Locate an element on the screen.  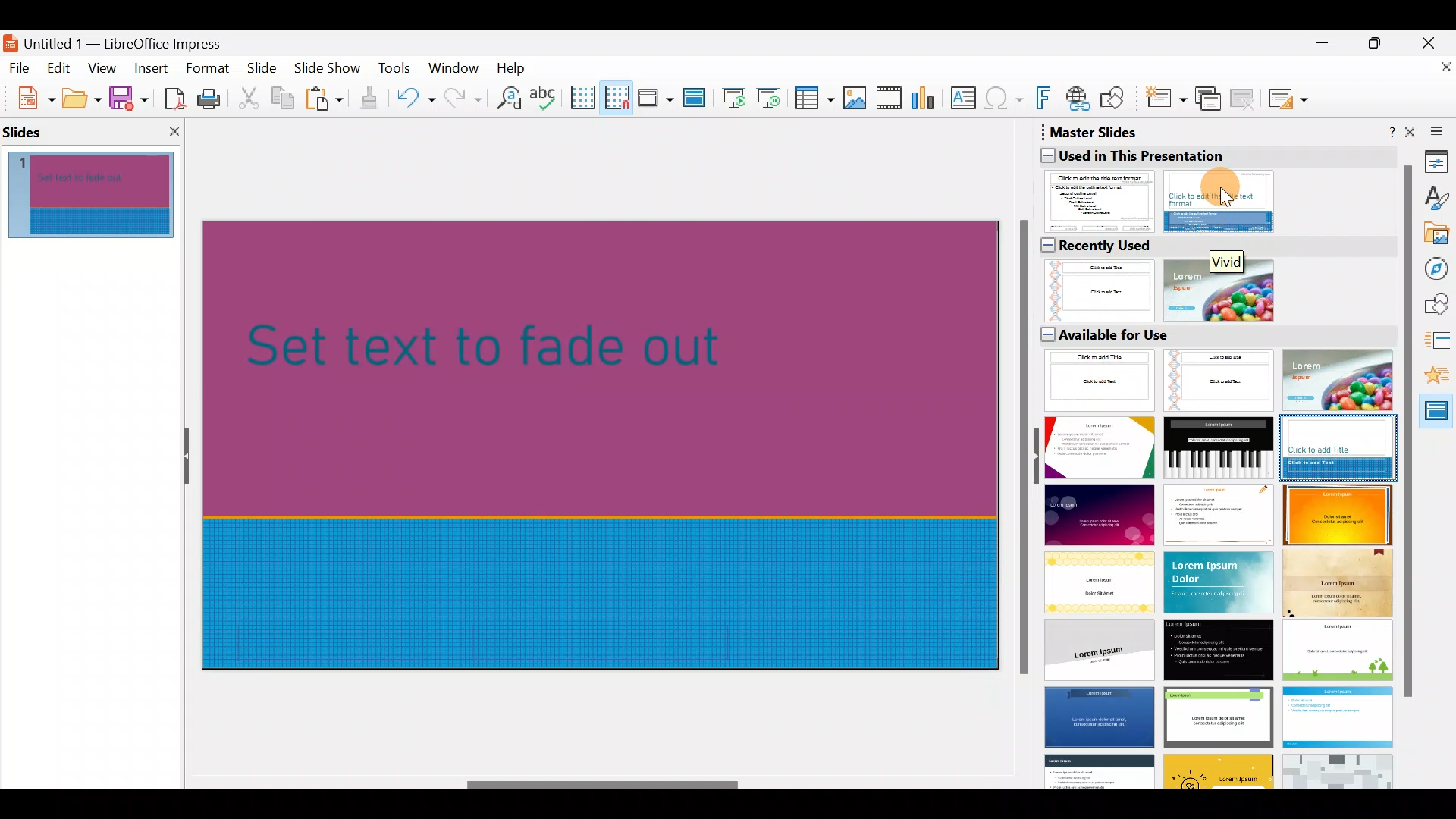
Close is located at coordinates (1434, 41).